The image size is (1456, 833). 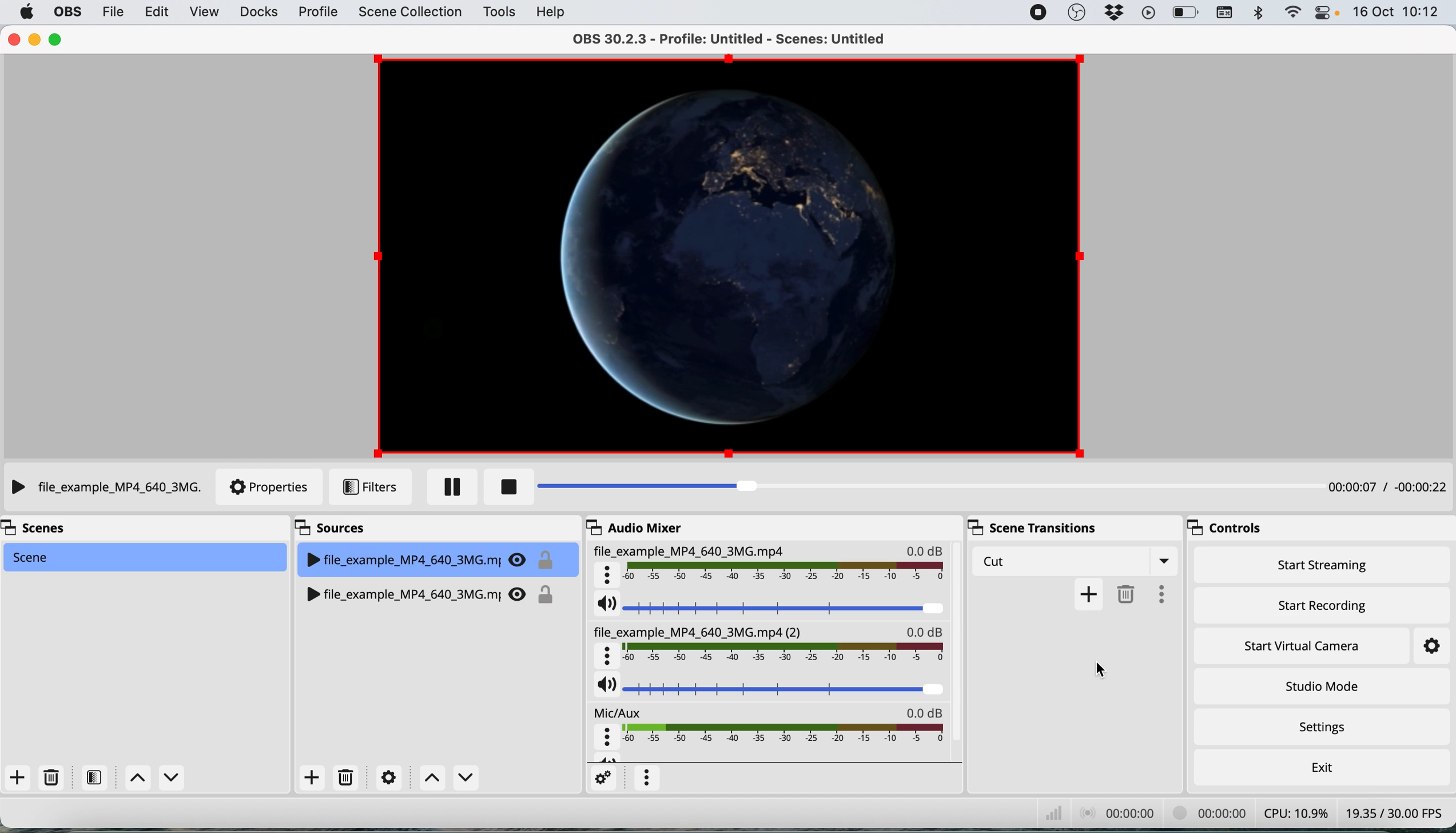 What do you see at coordinates (52, 777) in the screenshot?
I see `delete scene` at bounding box center [52, 777].